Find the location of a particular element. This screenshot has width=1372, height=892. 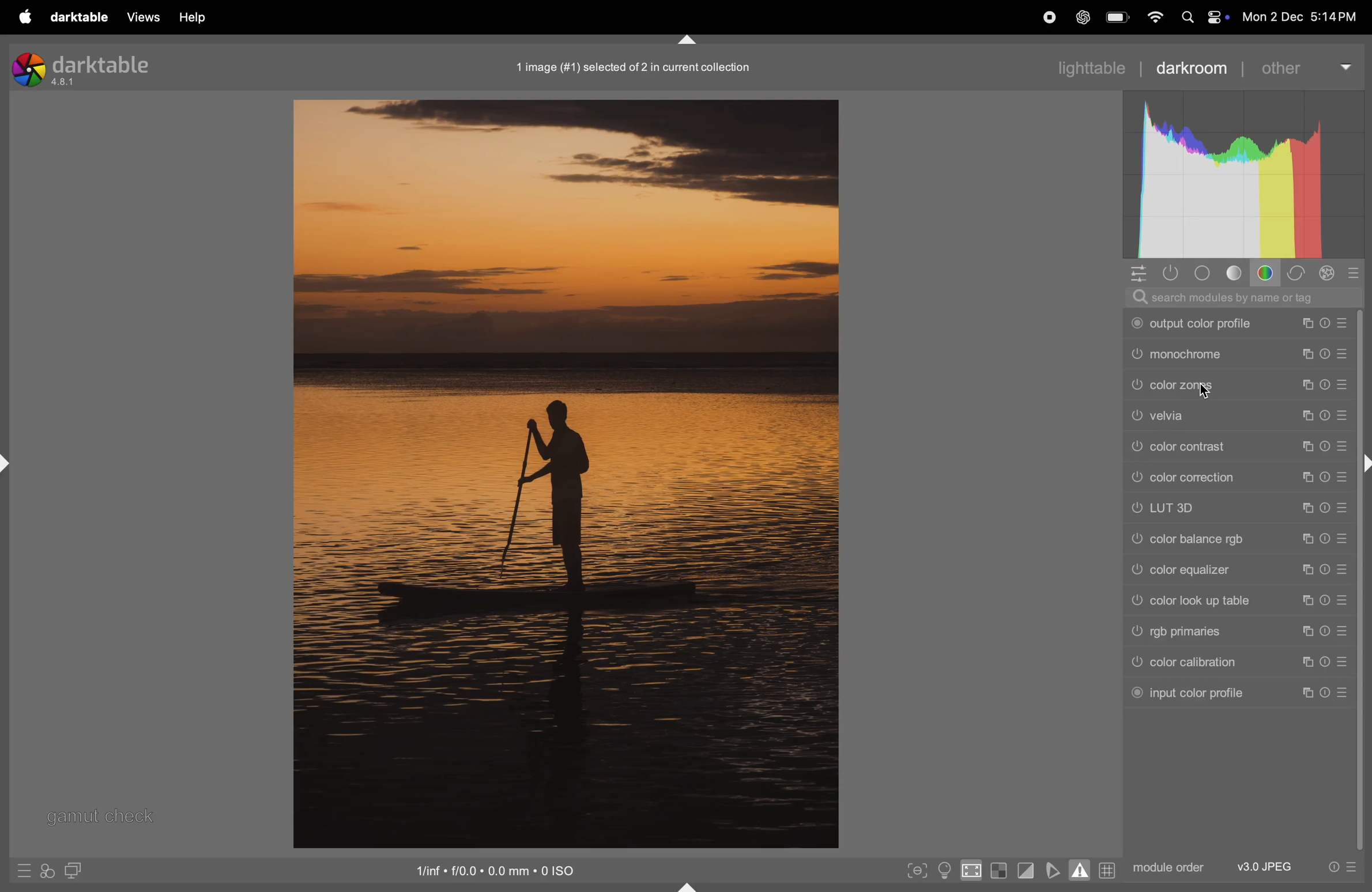

Timer is located at coordinates (1325, 632).